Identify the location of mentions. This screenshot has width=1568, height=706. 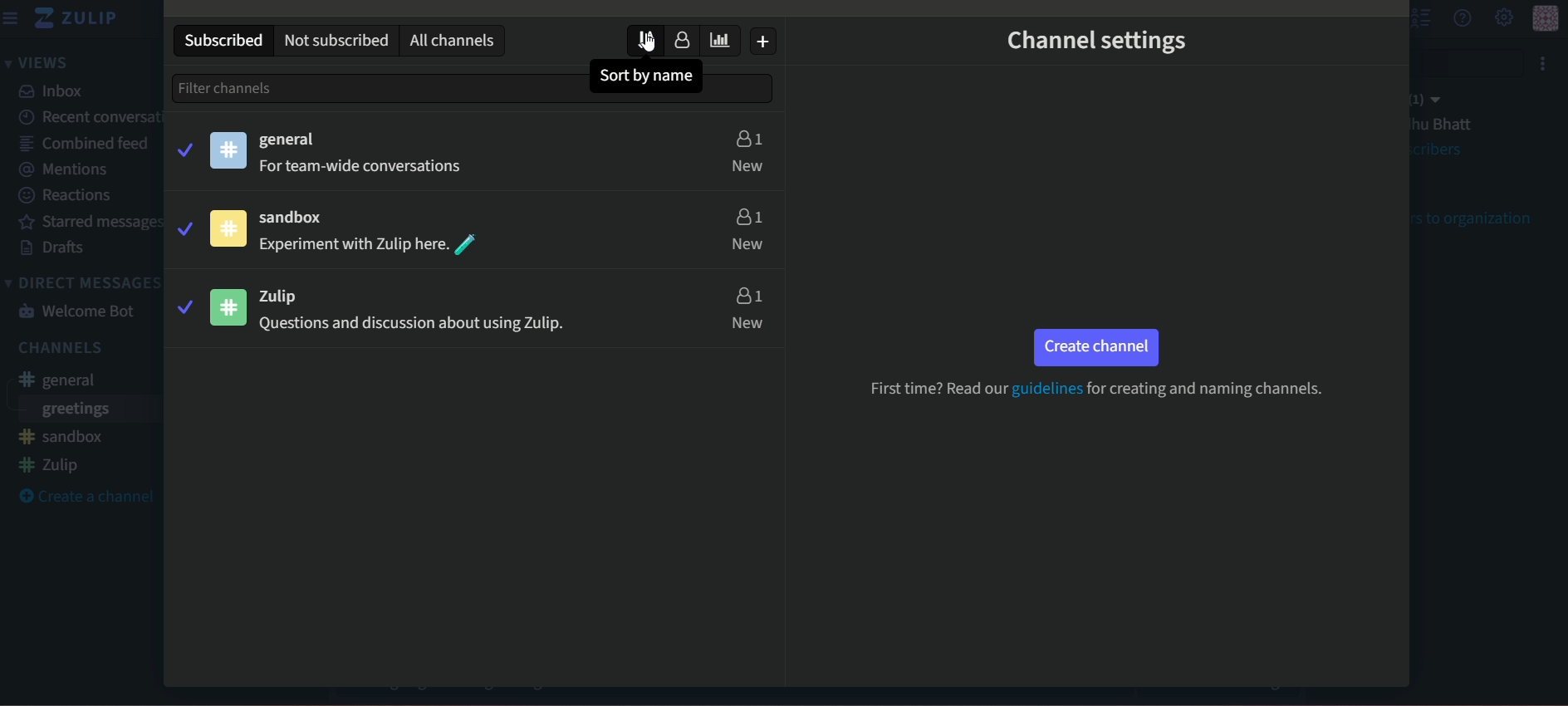
(64, 168).